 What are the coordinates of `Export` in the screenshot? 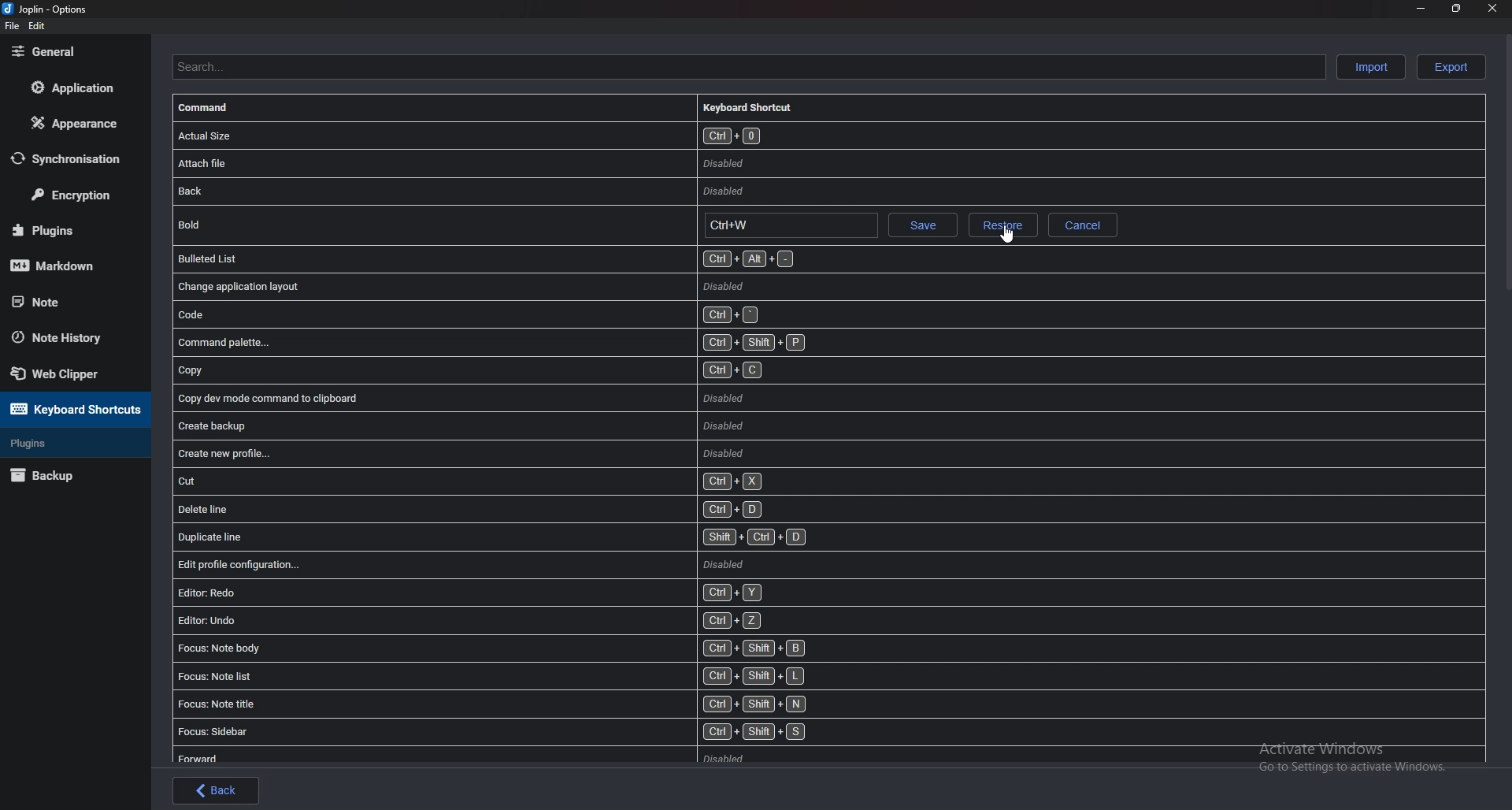 It's located at (1452, 67).